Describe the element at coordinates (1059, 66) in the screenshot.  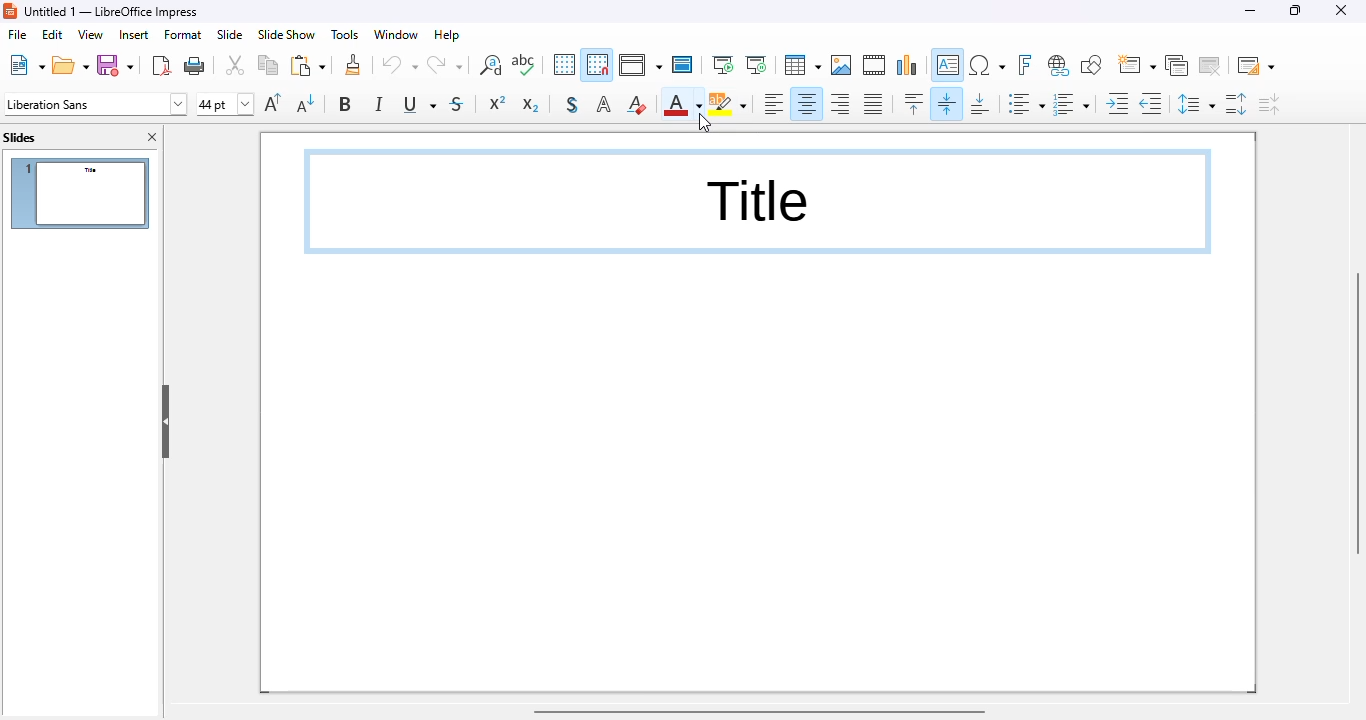
I see `insert hyperlink` at that location.